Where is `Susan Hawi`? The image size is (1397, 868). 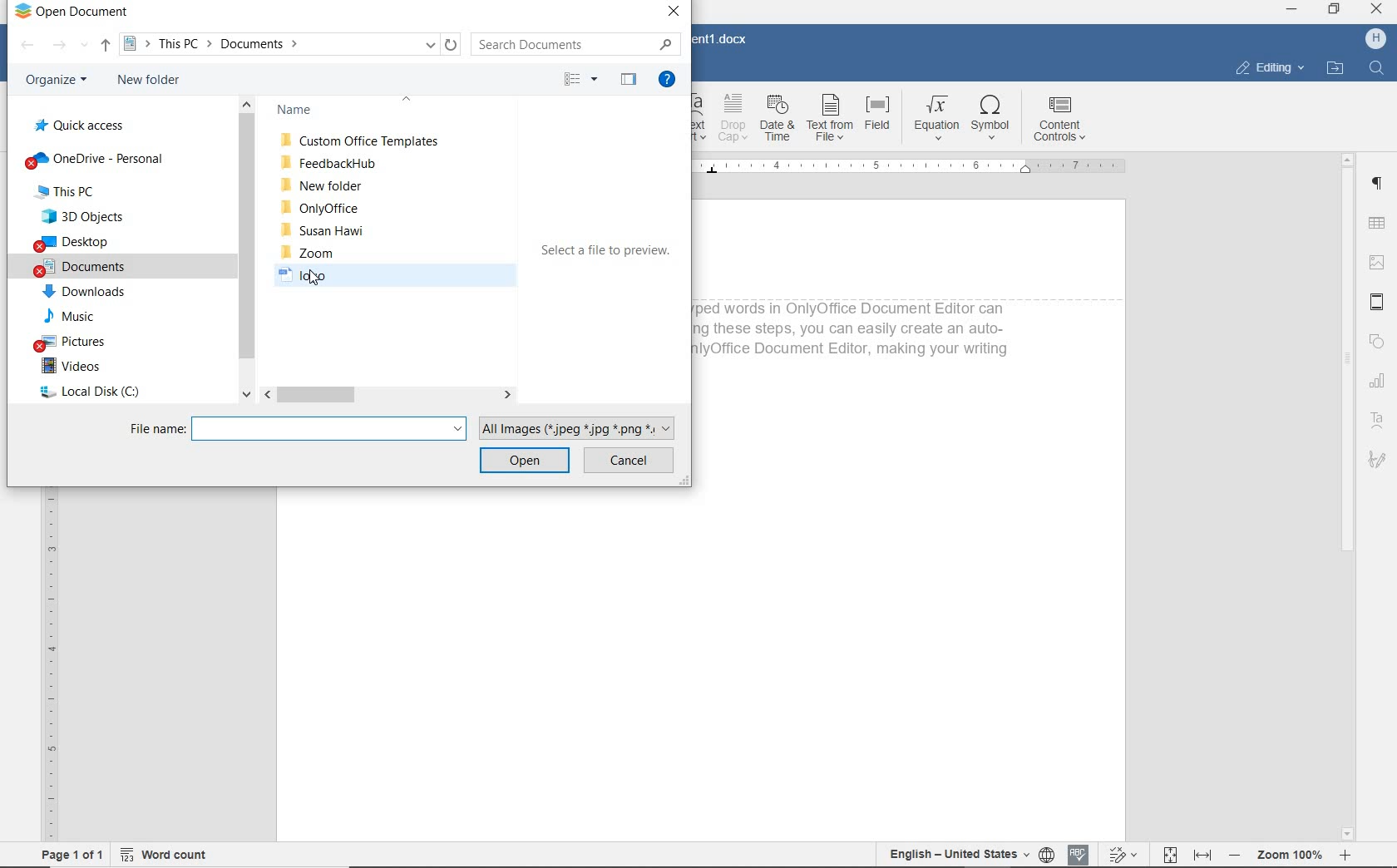
Susan Hawi is located at coordinates (330, 231).